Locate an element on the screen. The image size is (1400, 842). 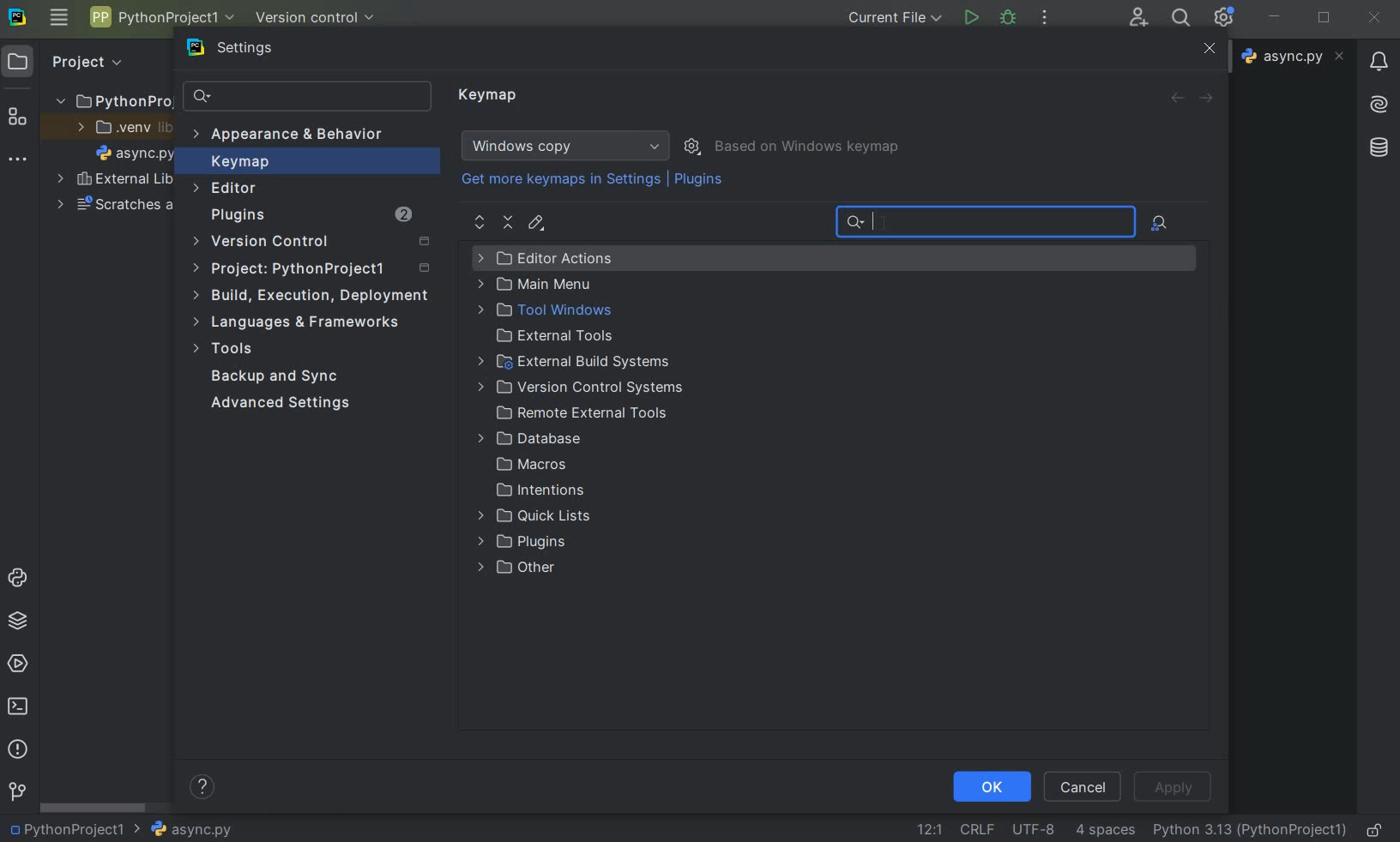
build, execution, deployment is located at coordinates (312, 295).